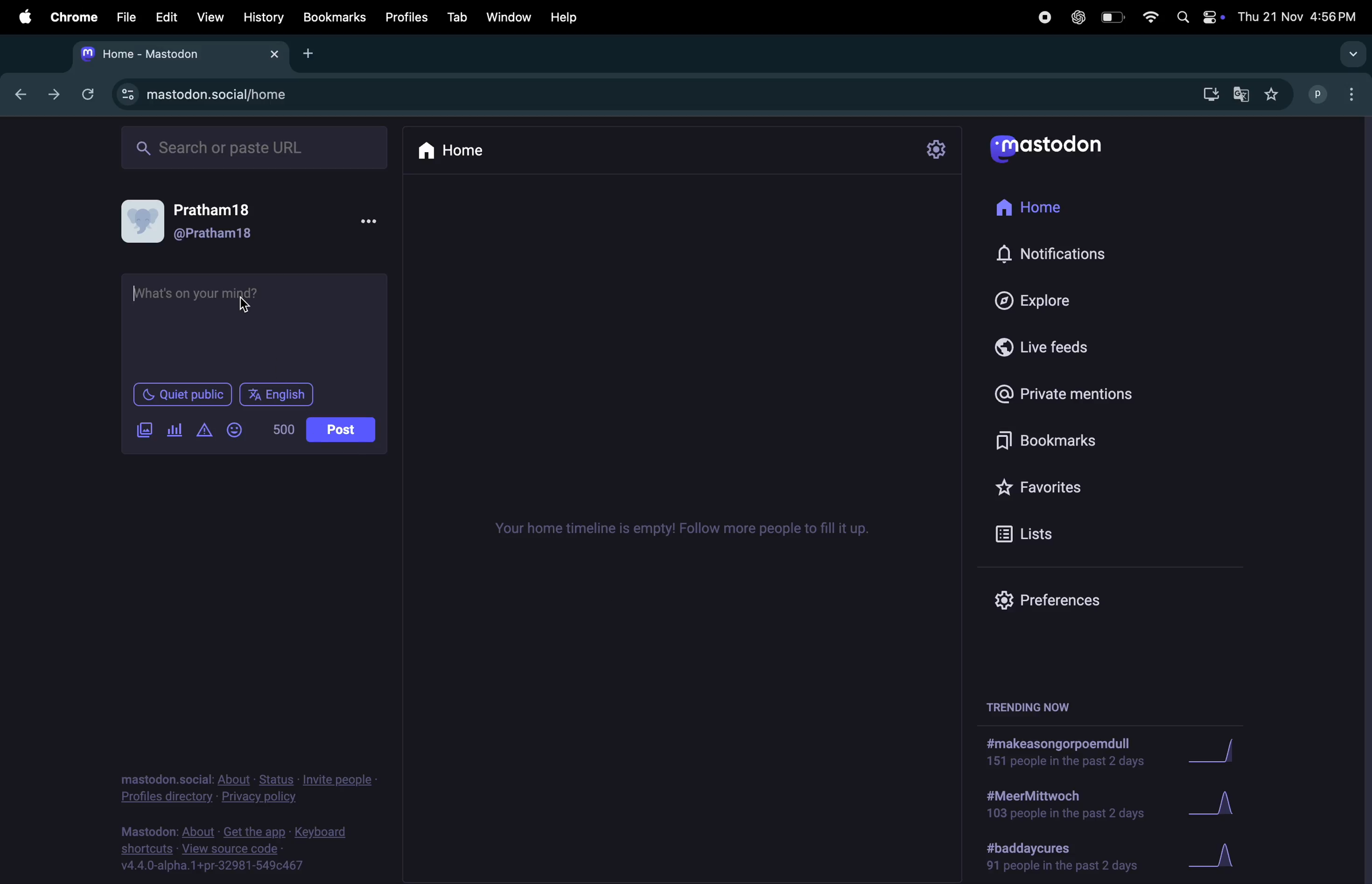  I want to click on userlogo, so click(1045, 149).